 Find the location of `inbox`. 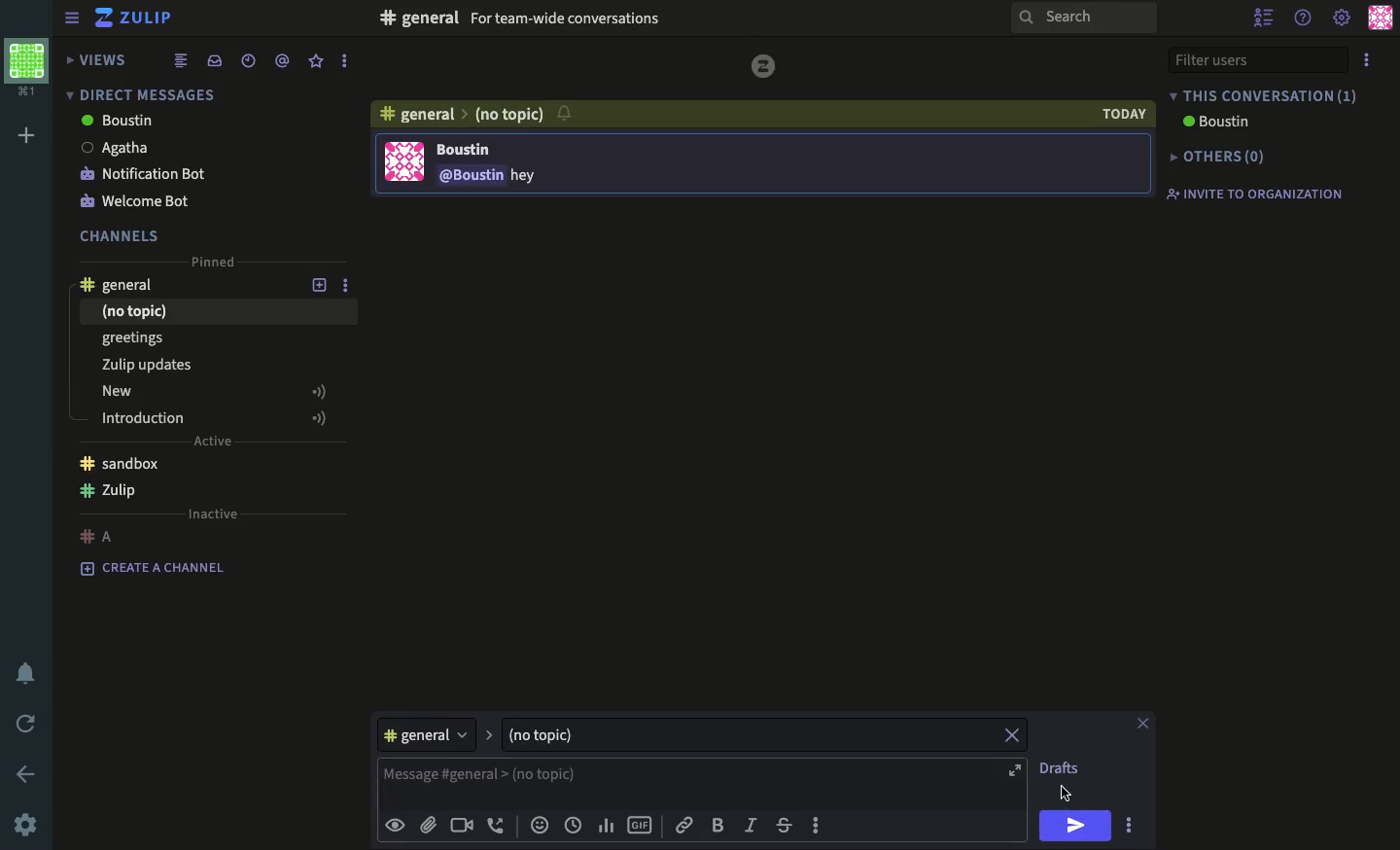

inbox is located at coordinates (213, 61).